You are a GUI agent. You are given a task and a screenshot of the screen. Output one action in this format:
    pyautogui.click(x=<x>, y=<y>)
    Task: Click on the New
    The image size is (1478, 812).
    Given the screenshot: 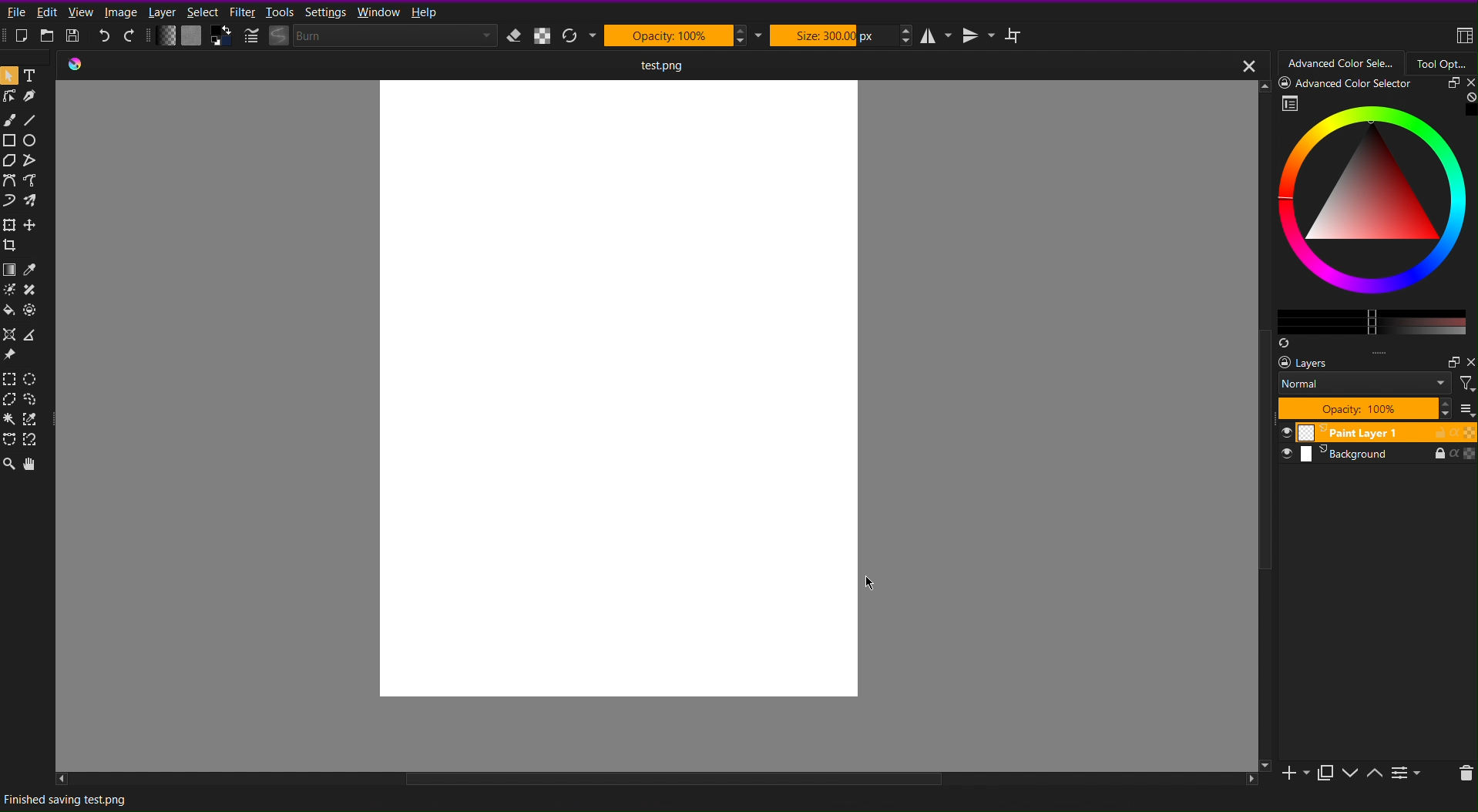 What is the action you would take?
    pyautogui.click(x=23, y=36)
    